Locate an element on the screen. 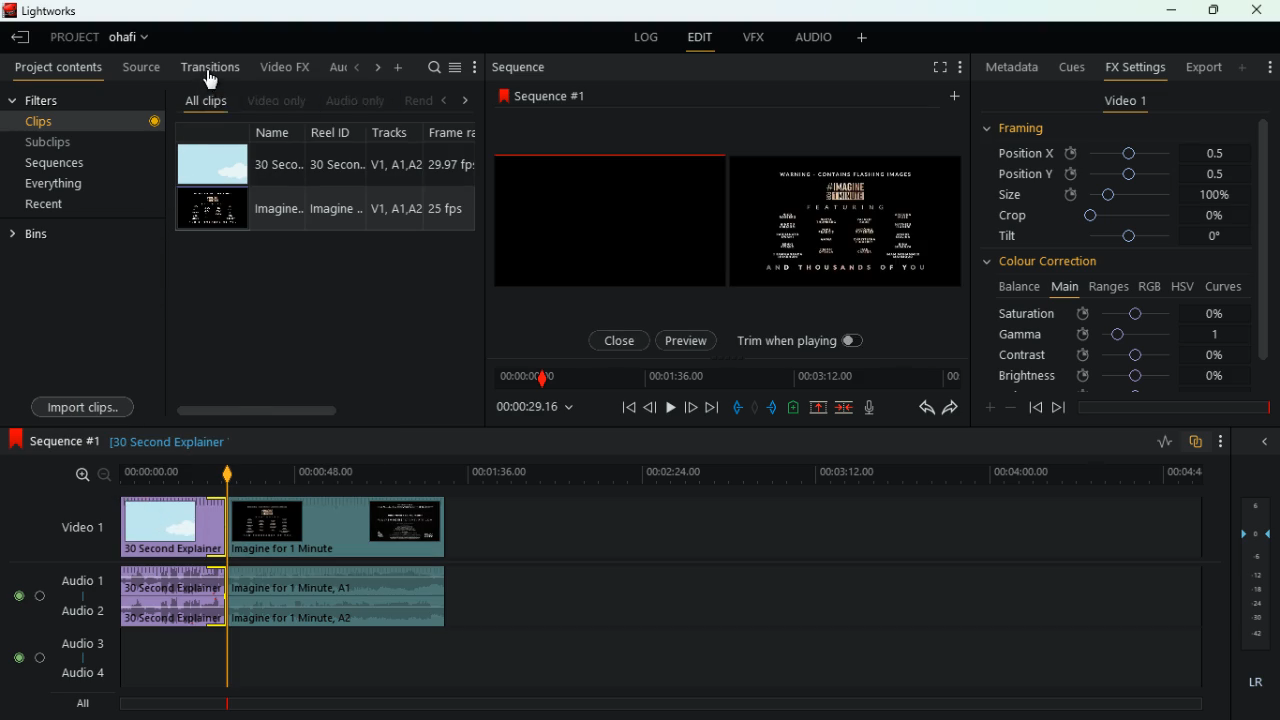 The height and width of the screenshot is (720, 1280). back is located at coordinates (23, 39).